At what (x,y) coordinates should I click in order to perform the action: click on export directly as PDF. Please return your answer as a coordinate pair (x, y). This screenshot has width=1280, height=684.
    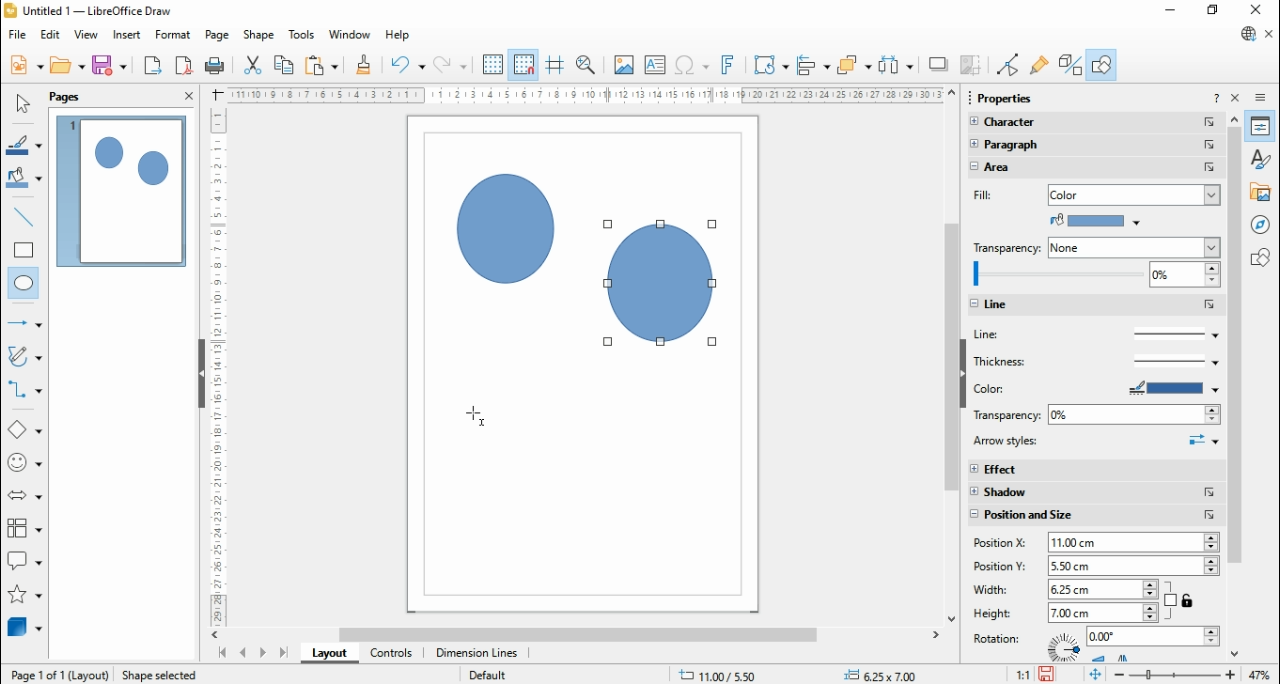
    Looking at the image, I should click on (183, 65).